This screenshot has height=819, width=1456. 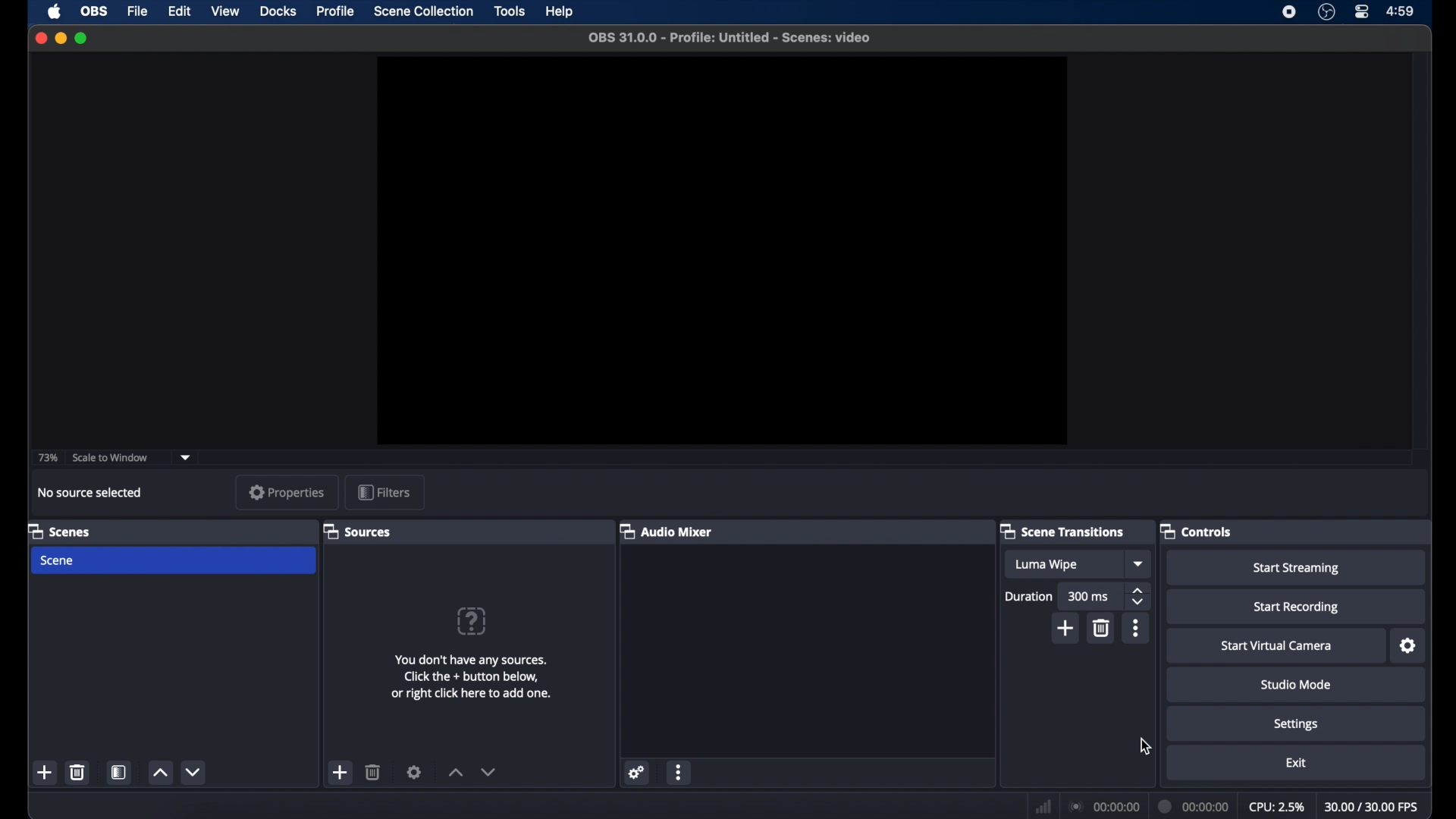 What do you see at coordinates (1196, 532) in the screenshot?
I see `controls` at bounding box center [1196, 532].